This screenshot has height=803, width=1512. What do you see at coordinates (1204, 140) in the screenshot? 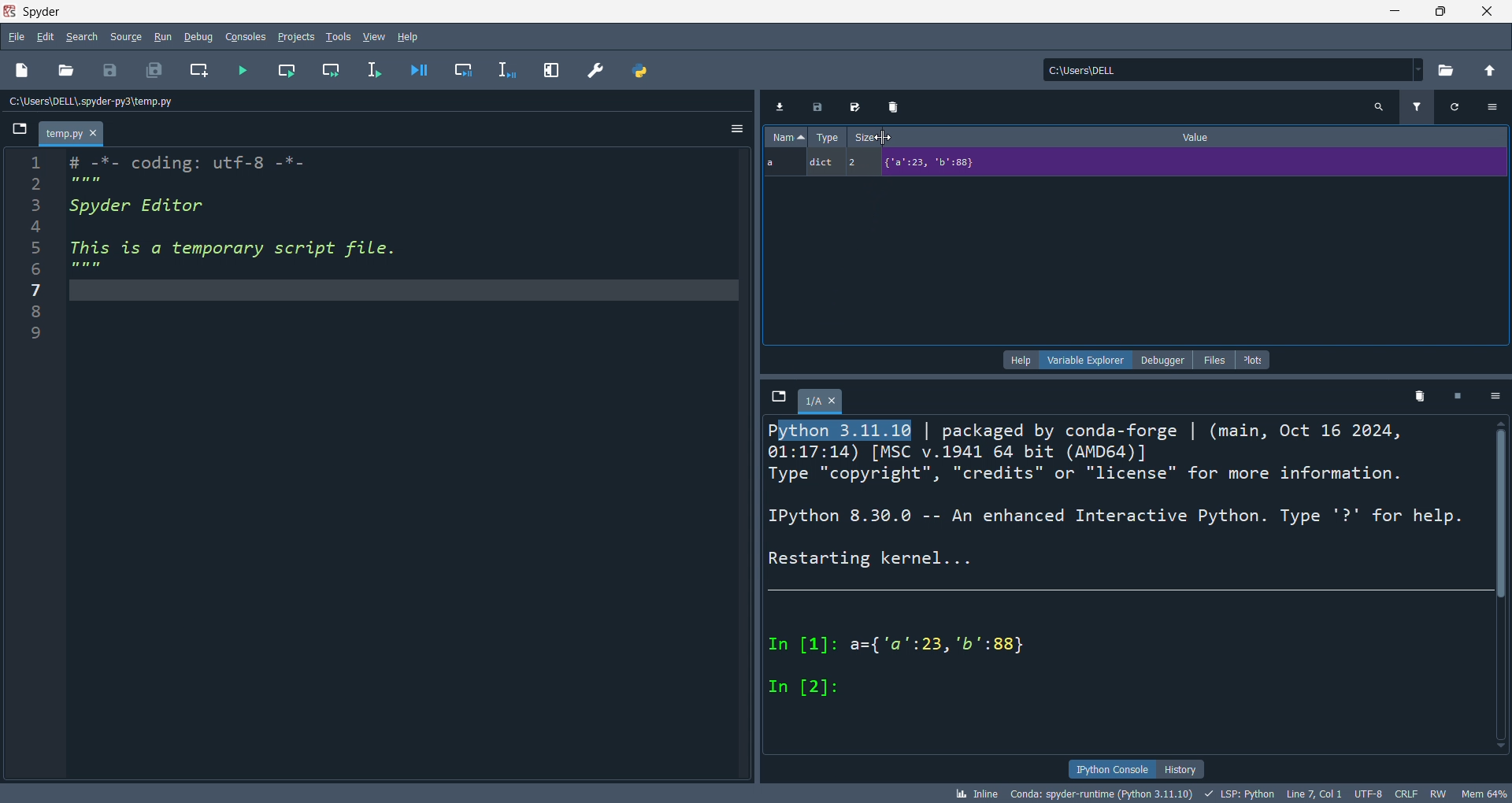
I see `value` at bounding box center [1204, 140].